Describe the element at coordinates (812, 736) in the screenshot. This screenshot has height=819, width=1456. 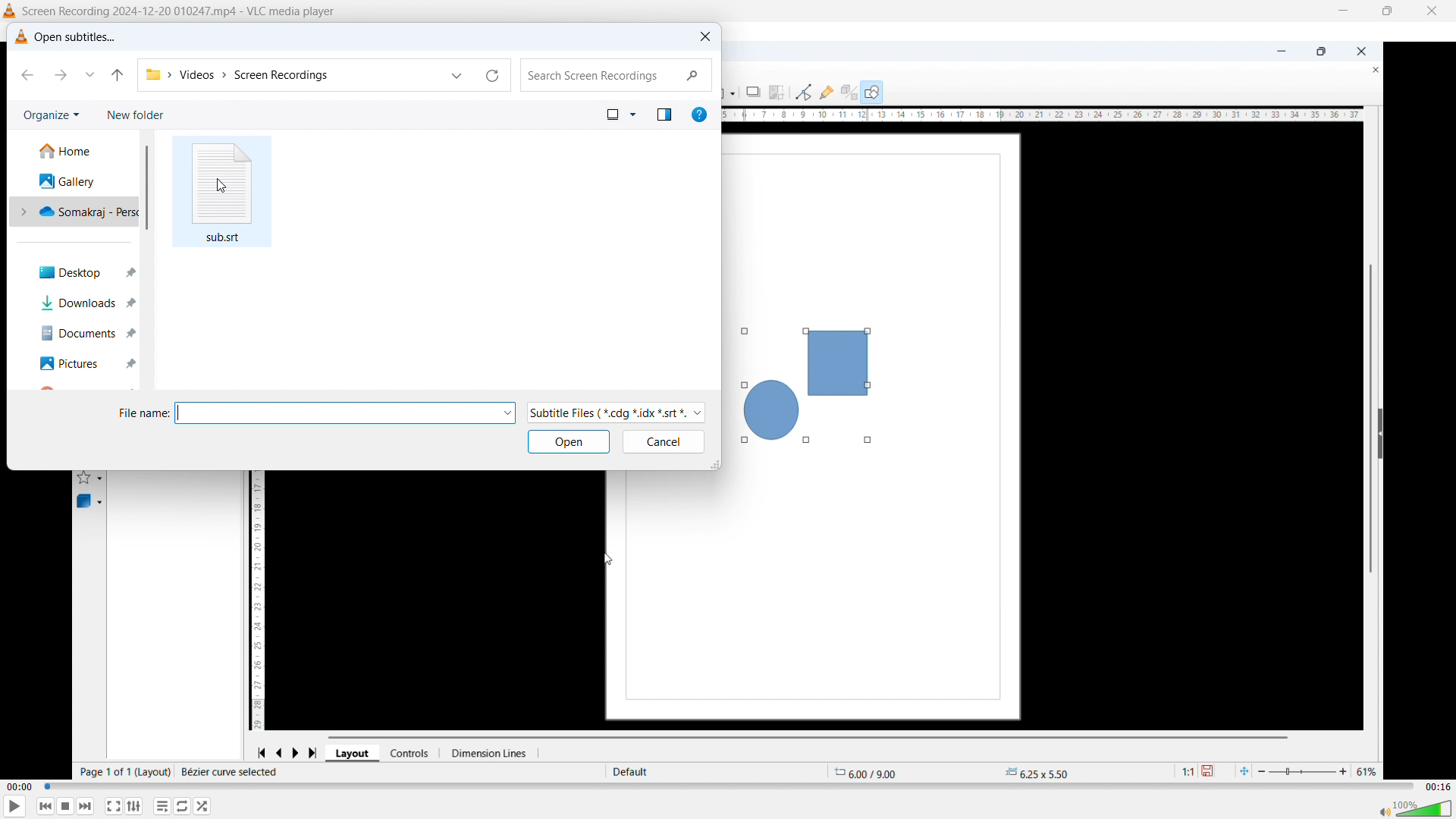
I see `horizontal scroll bar` at that location.